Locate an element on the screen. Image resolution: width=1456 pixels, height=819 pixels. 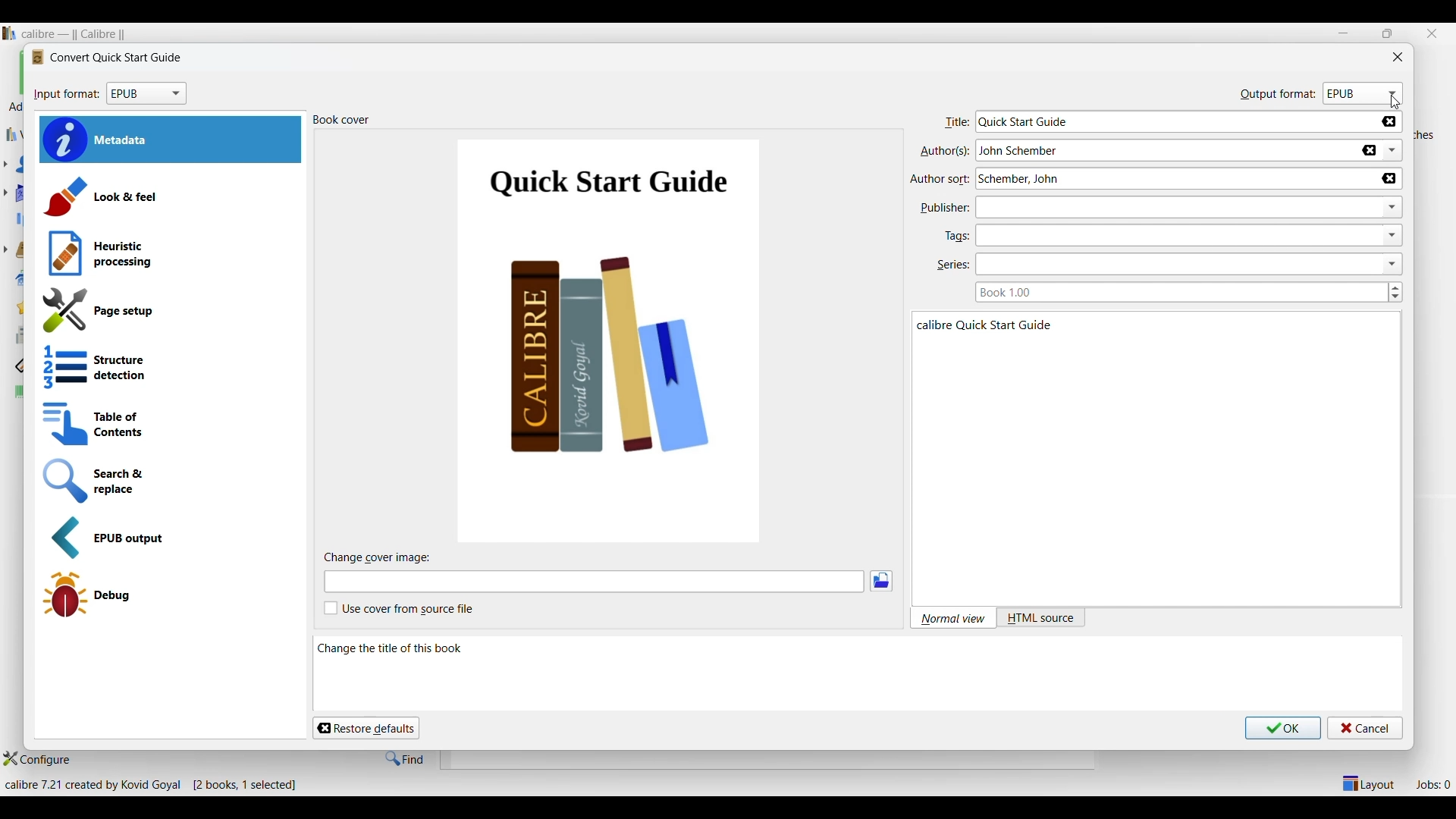
Close interface is located at coordinates (1432, 33).